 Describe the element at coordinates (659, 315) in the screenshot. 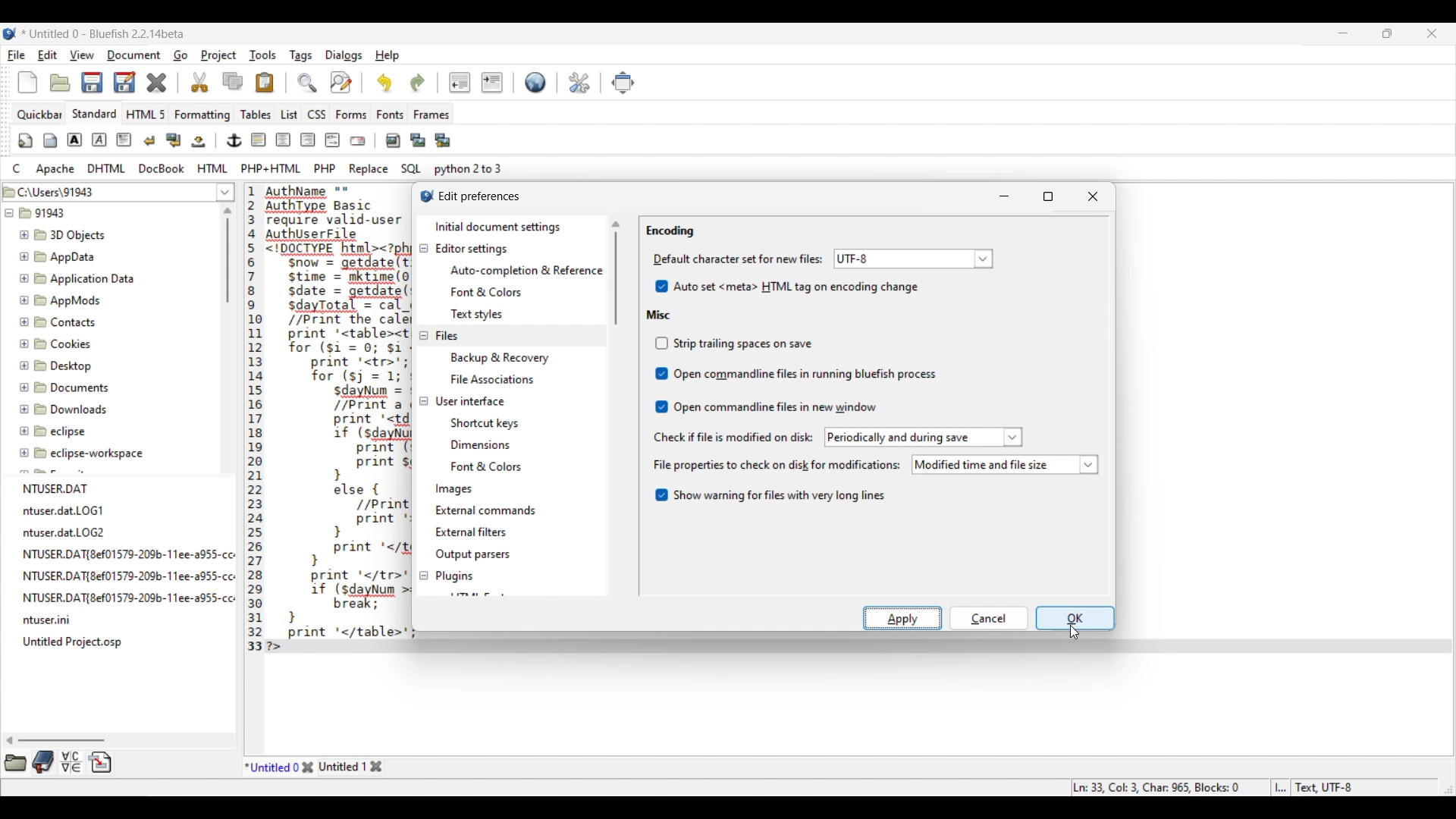

I see `Misc section` at that location.